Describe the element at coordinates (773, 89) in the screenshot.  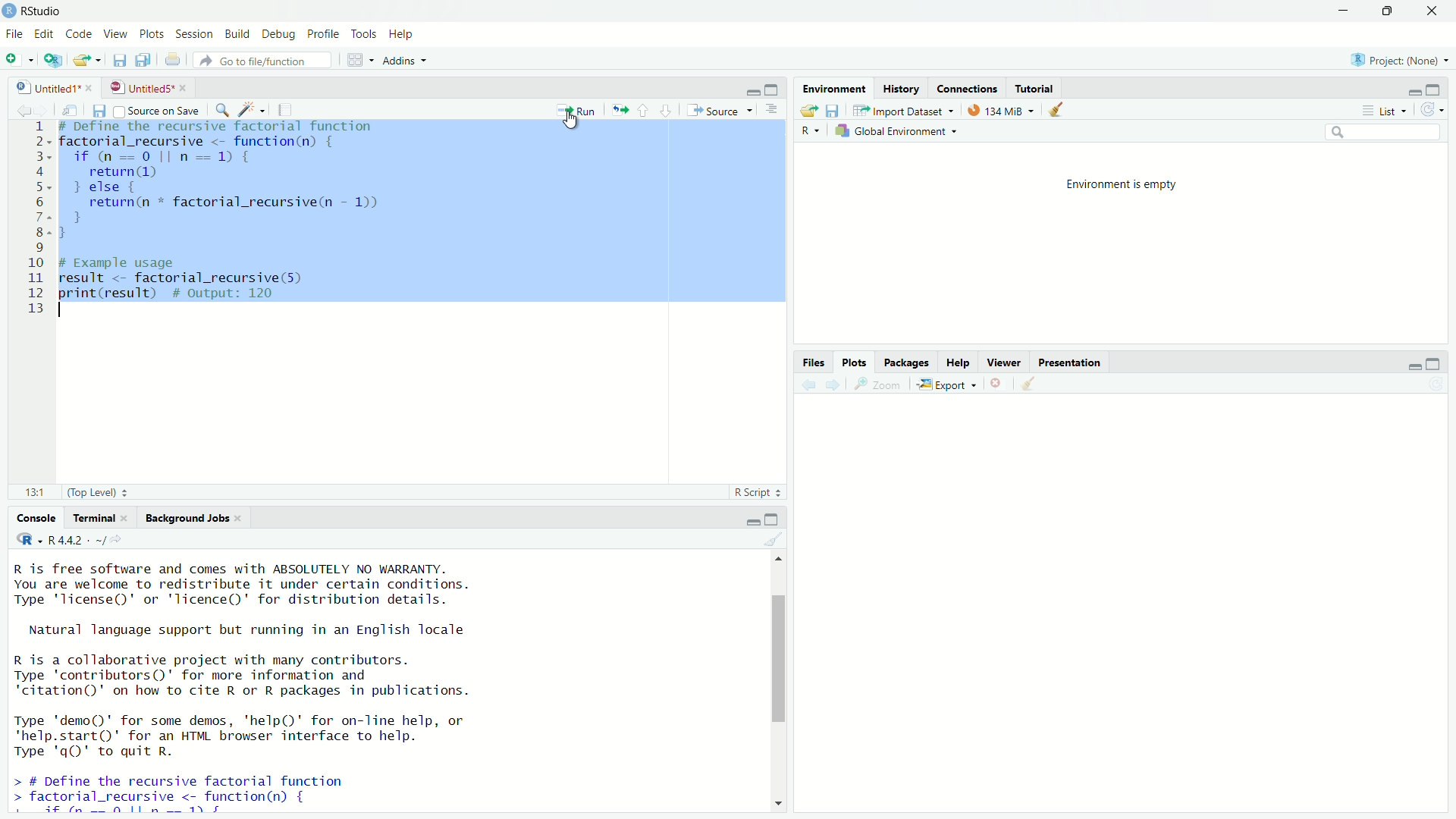
I see `Maximize` at that location.